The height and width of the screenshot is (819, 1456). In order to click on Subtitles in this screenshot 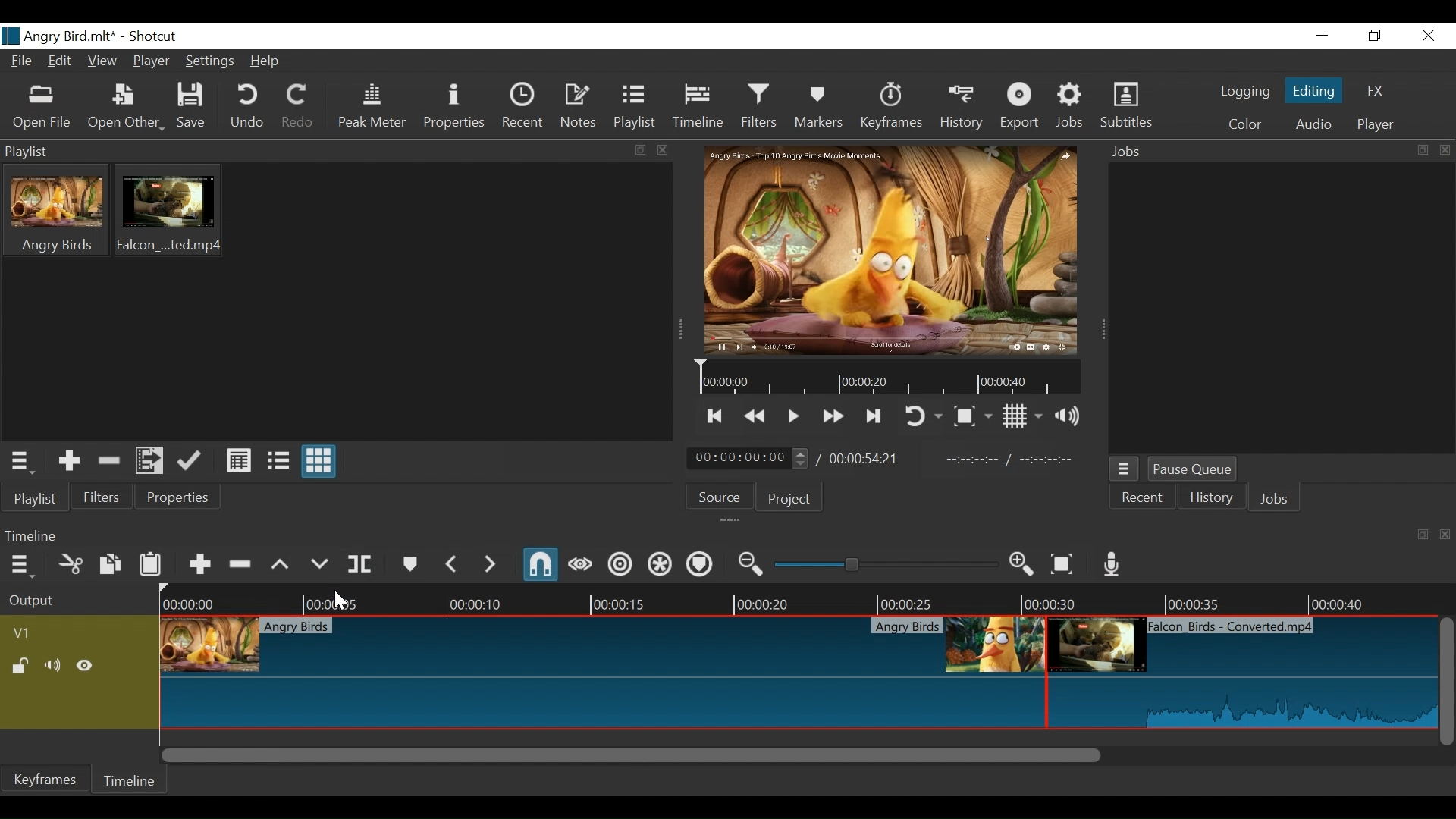, I will do `click(1127, 108)`.